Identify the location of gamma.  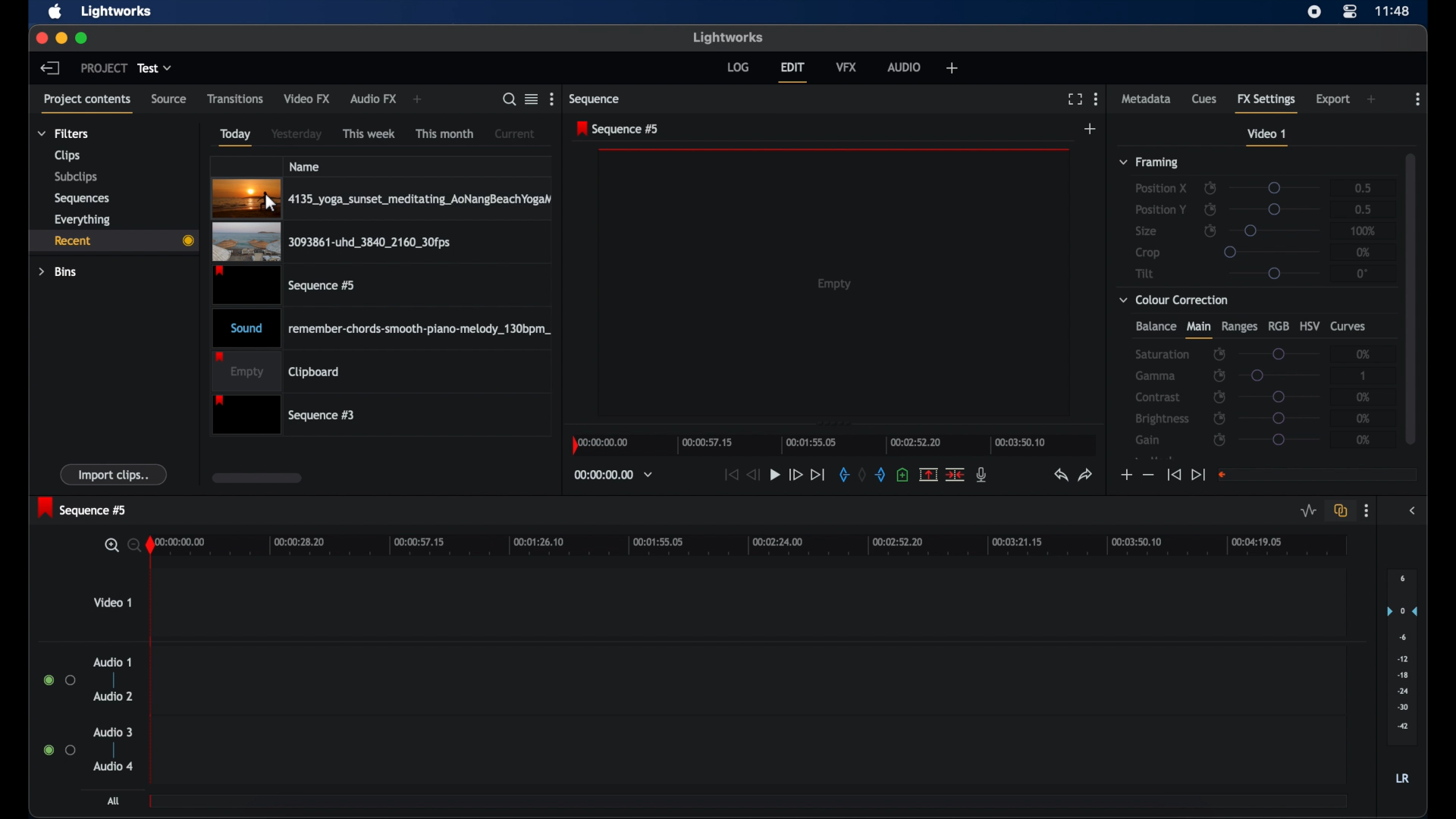
(1155, 375).